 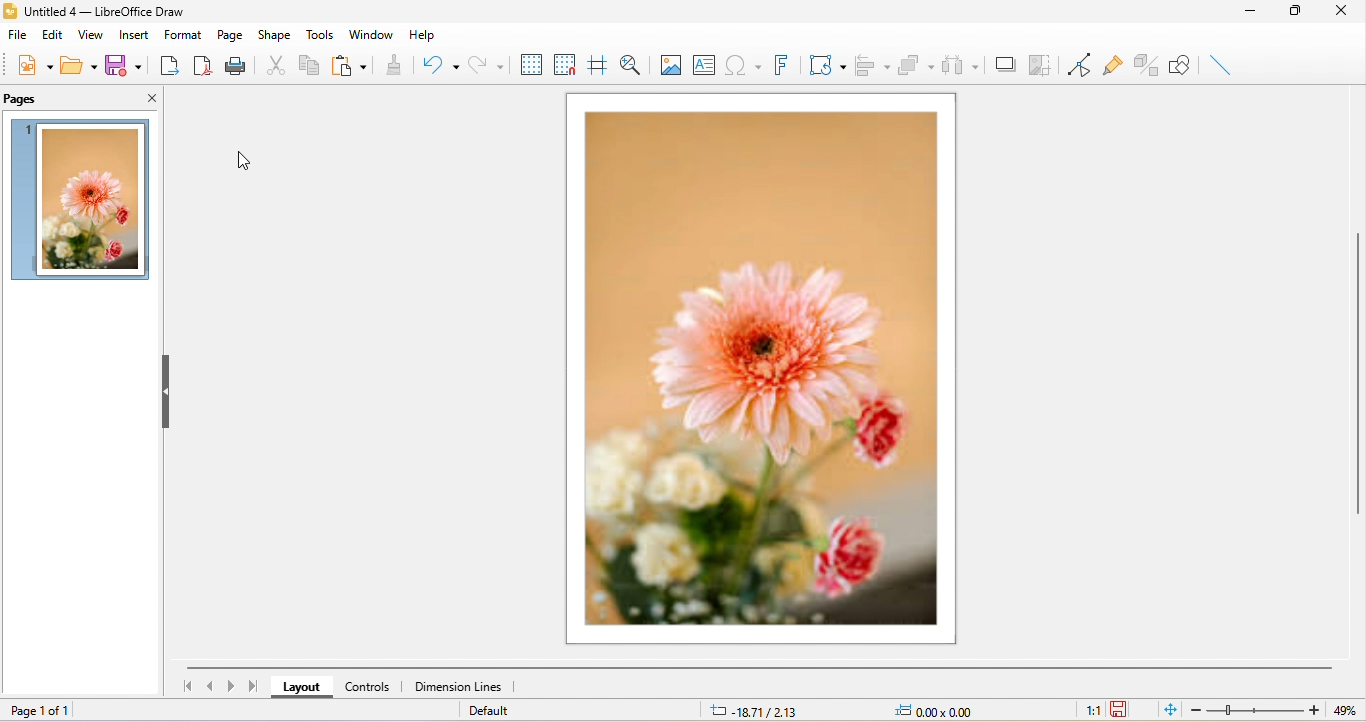 What do you see at coordinates (532, 63) in the screenshot?
I see `display to grids` at bounding box center [532, 63].